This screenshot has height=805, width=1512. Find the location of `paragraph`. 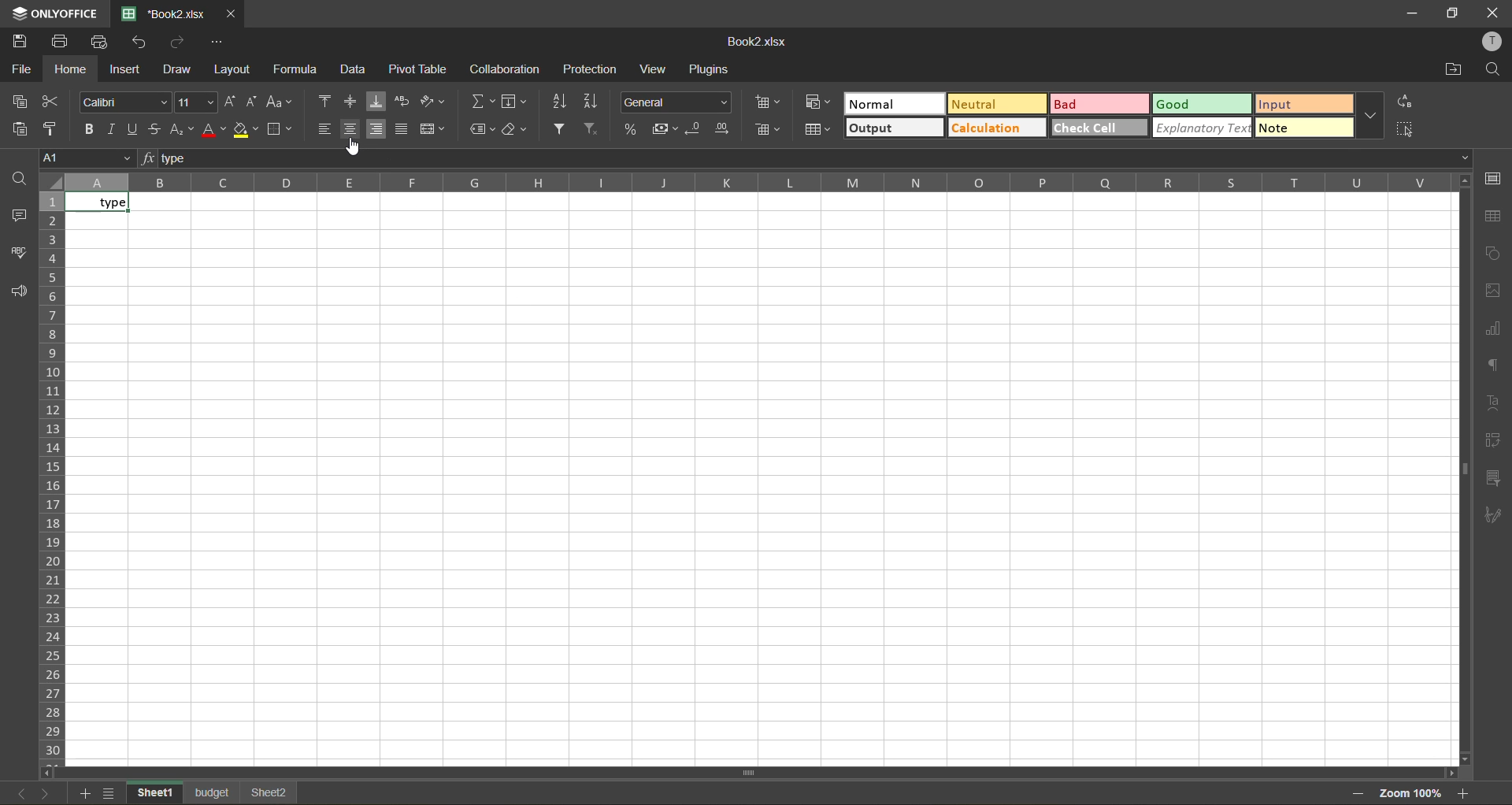

paragraph is located at coordinates (1492, 518).